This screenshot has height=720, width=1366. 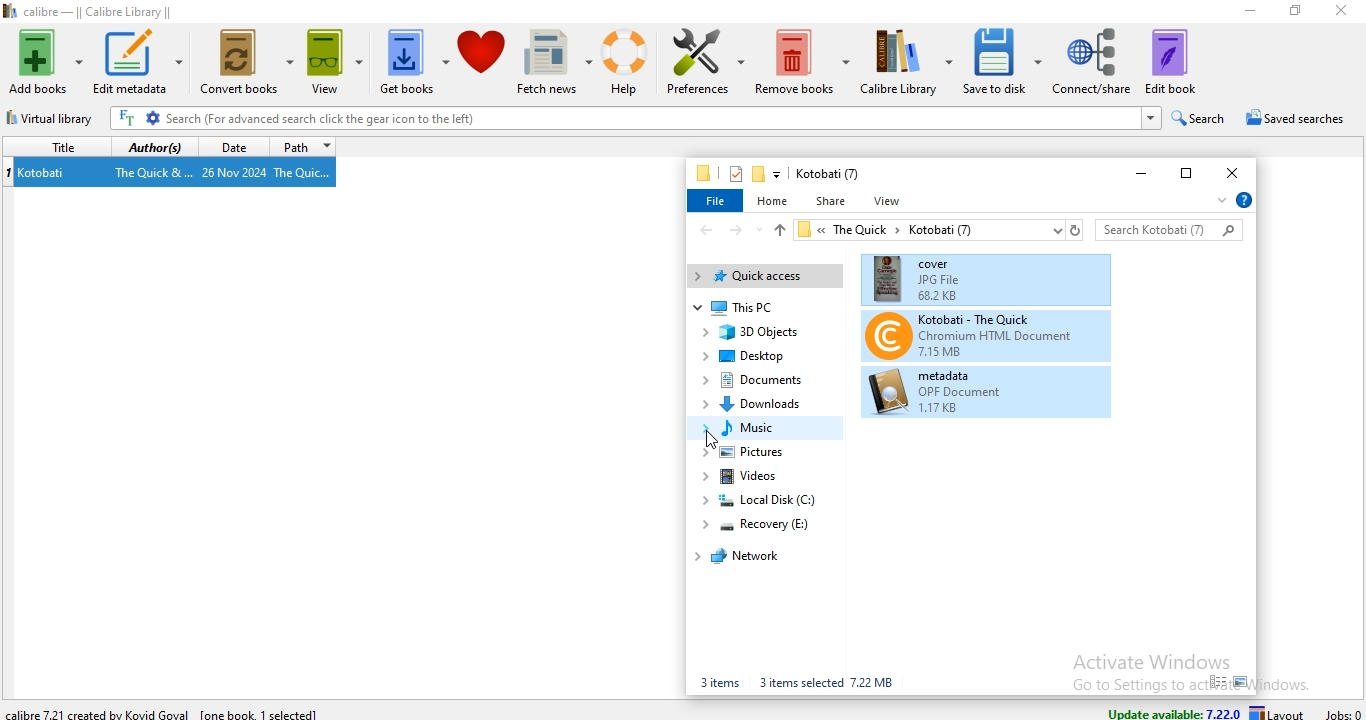 What do you see at coordinates (765, 277) in the screenshot?
I see `quick access` at bounding box center [765, 277].